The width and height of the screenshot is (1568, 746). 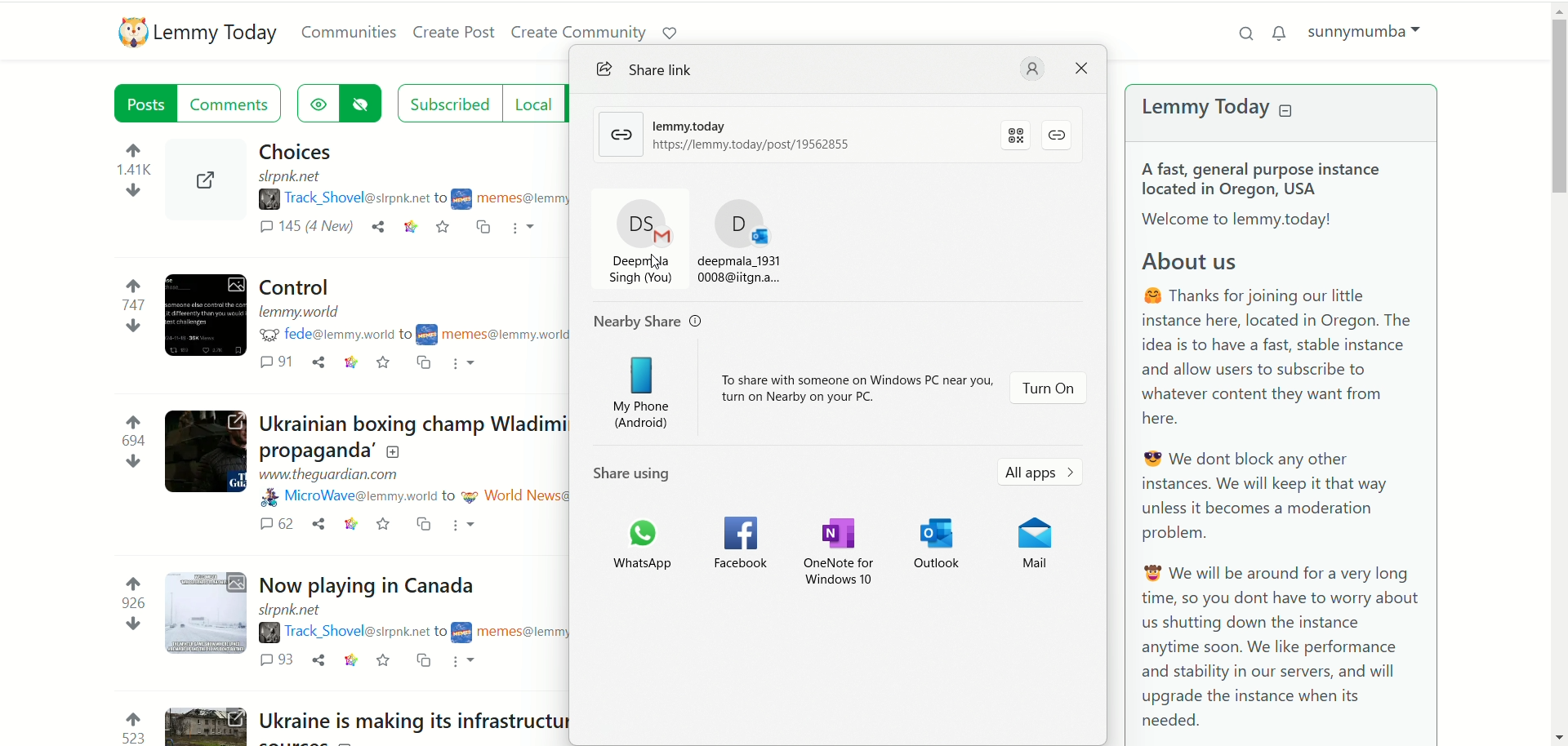 What do you see at coordinates (345, 33) in the screenshot?
I see `communities` at bounding box center [345, 33].